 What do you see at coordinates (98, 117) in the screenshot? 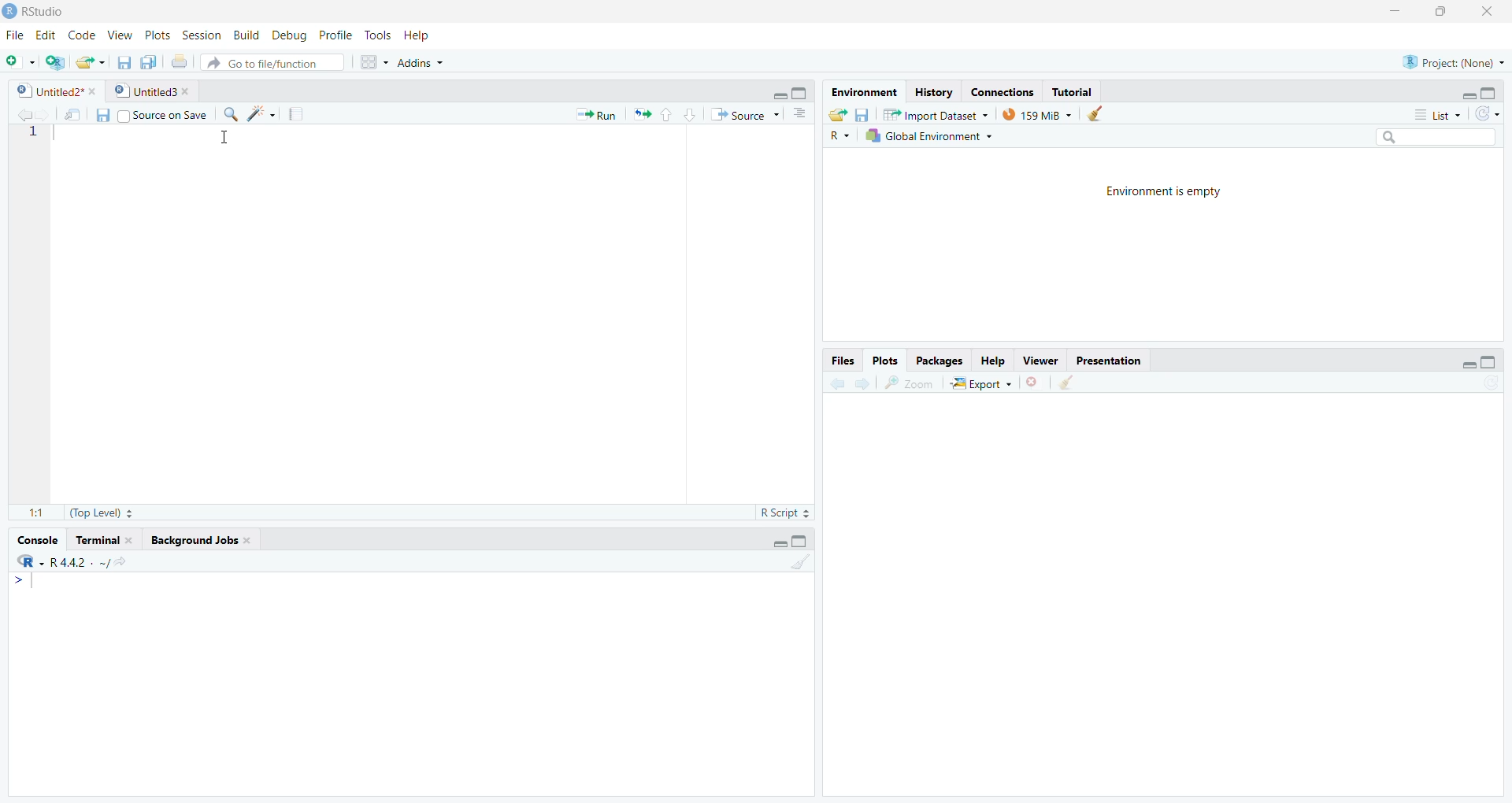
I see `Save` at bounding box center [98, 117].